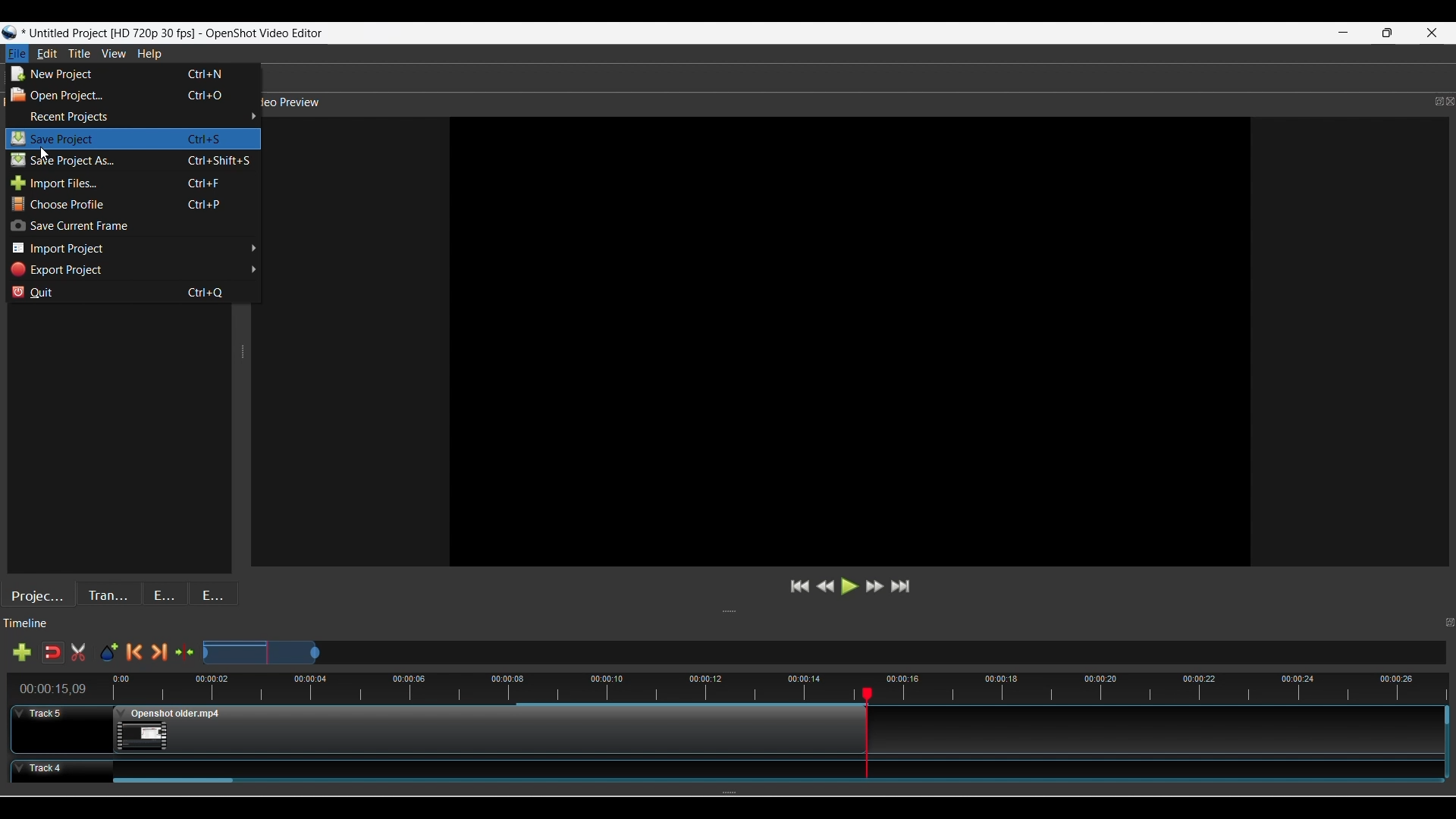  I want to click on Change height of panels attached to this line, so click(799, 612).